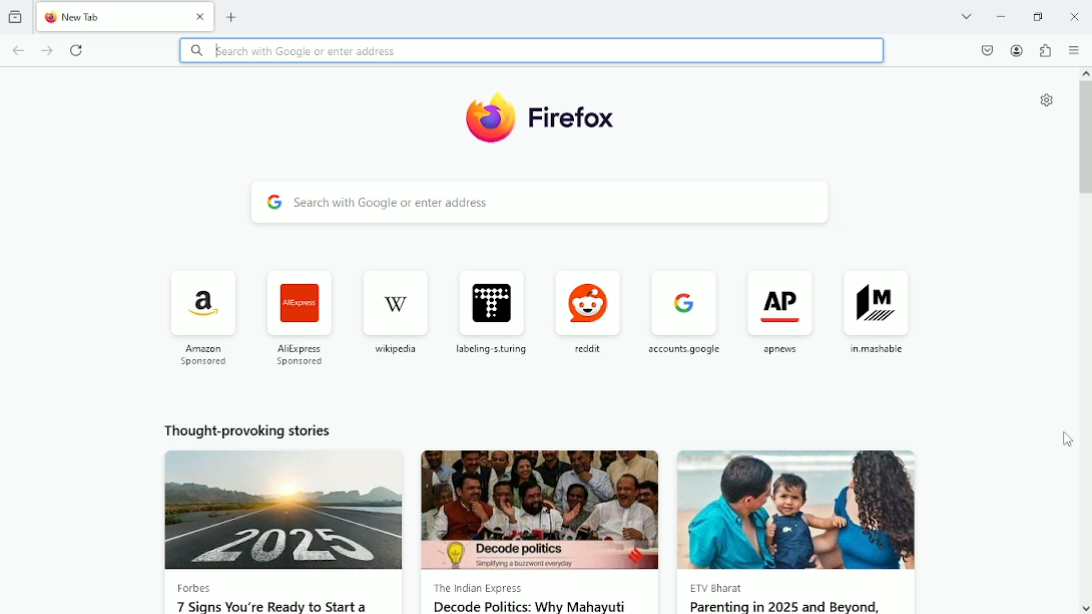  I want to click on view recent browsing, so click(16, 16).